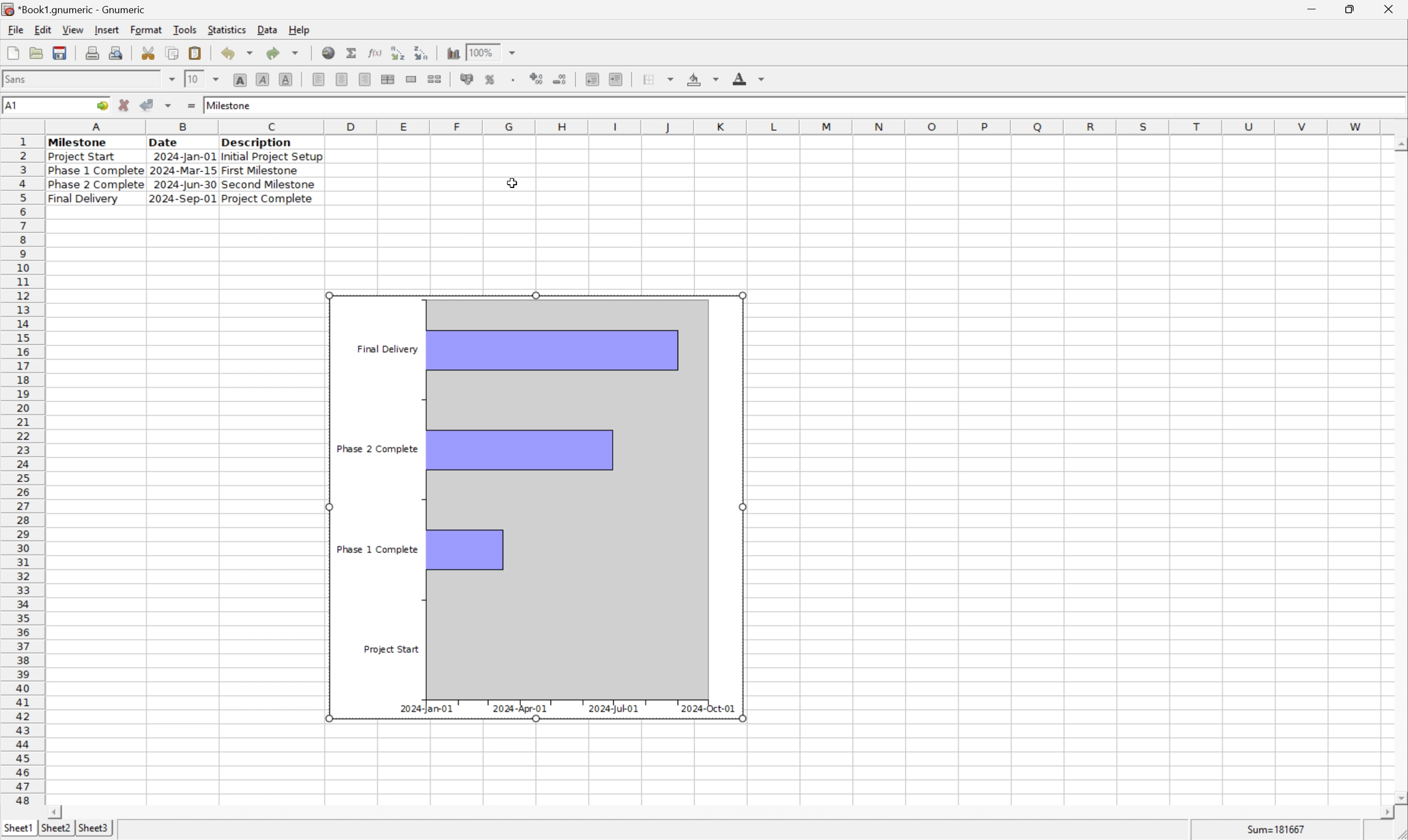 This screenshot has height=840, width=1408. Describe the element at coordinates (93, 831) in the screenshot. I see `sheet3` at that location.